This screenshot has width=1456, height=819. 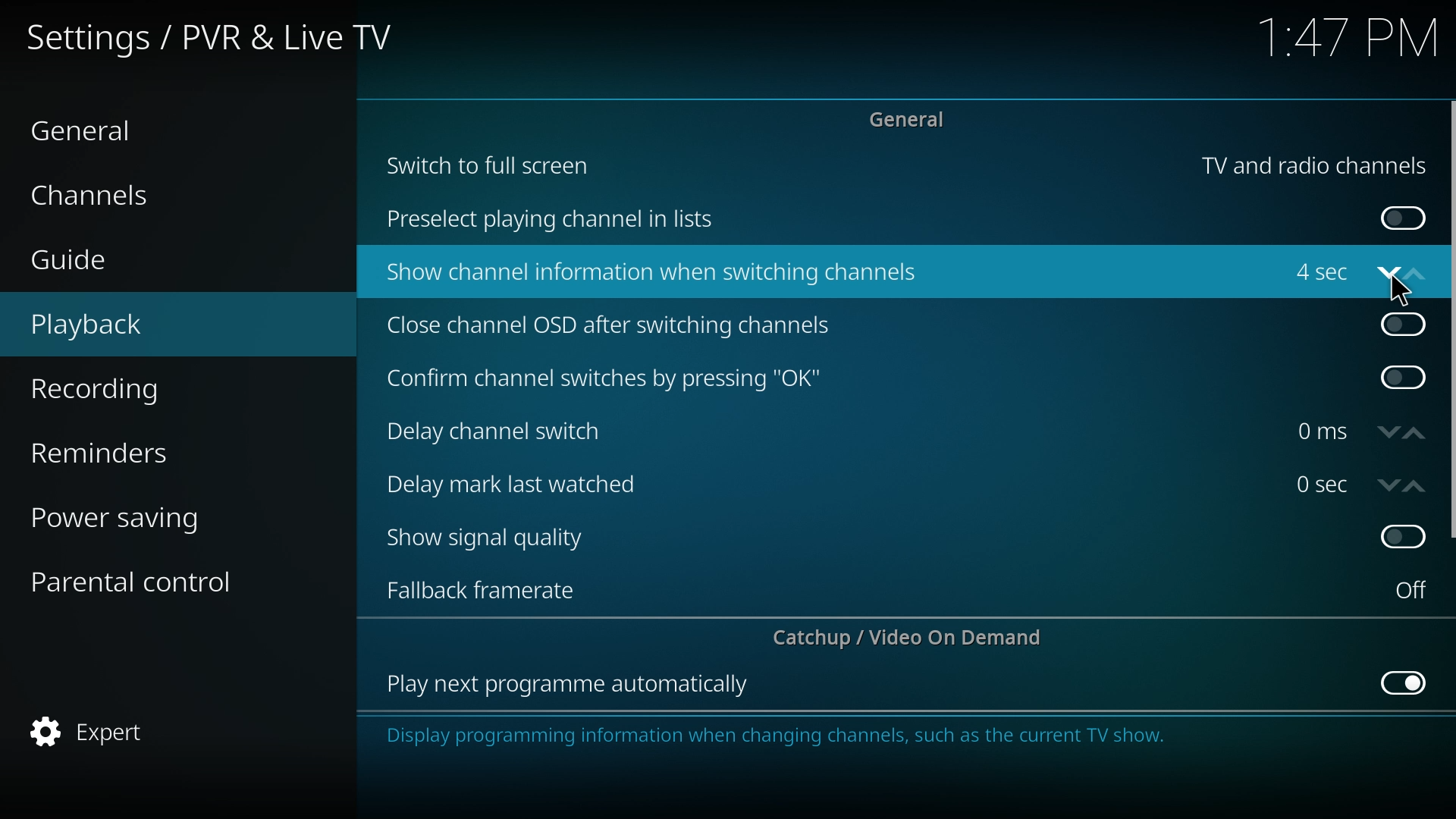 I want to click on off, so click(x=1406, y=378).